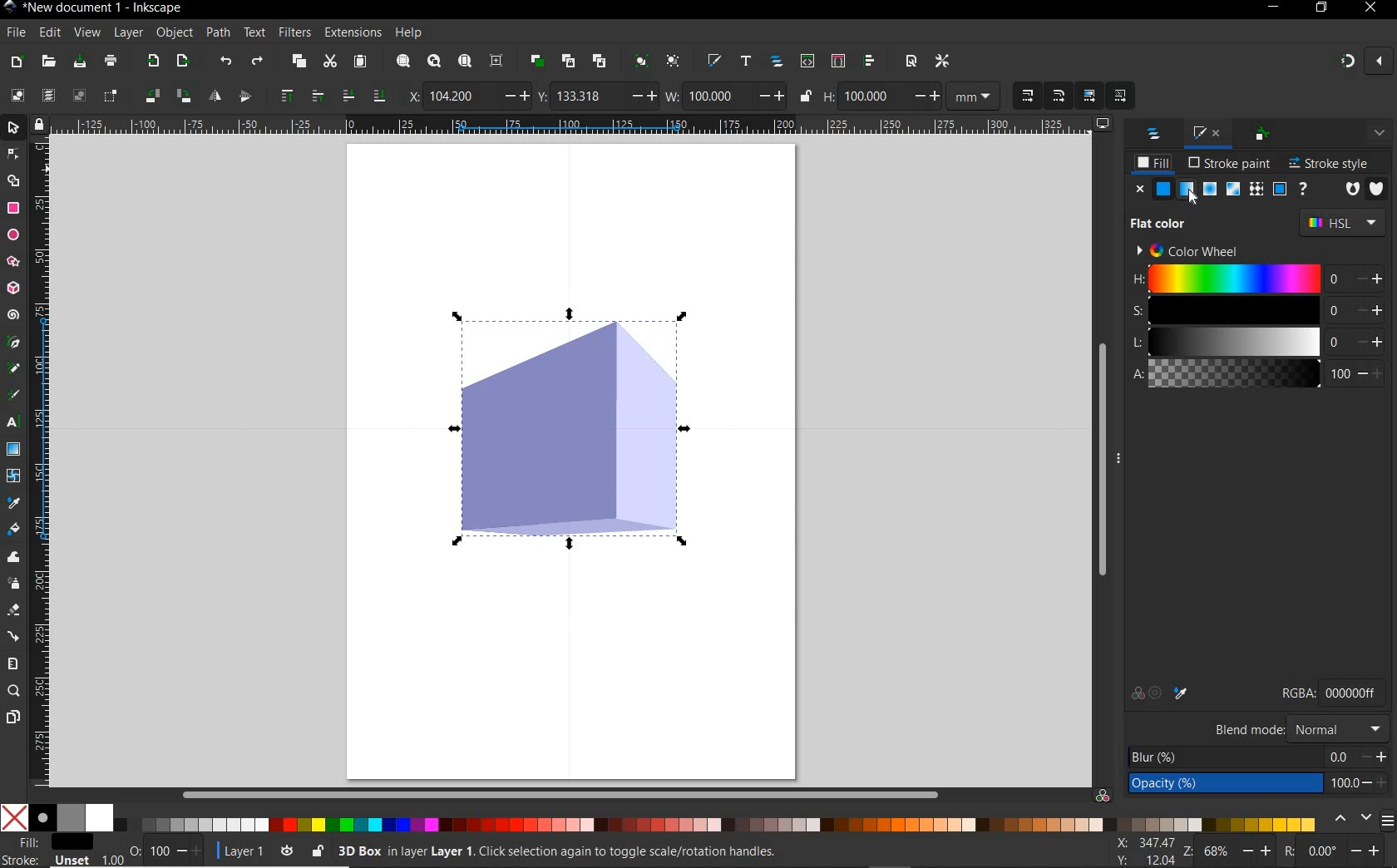 This screenshot has height=868, width=1397. I want to click on SCROLLBAR, so click(1098, 461).